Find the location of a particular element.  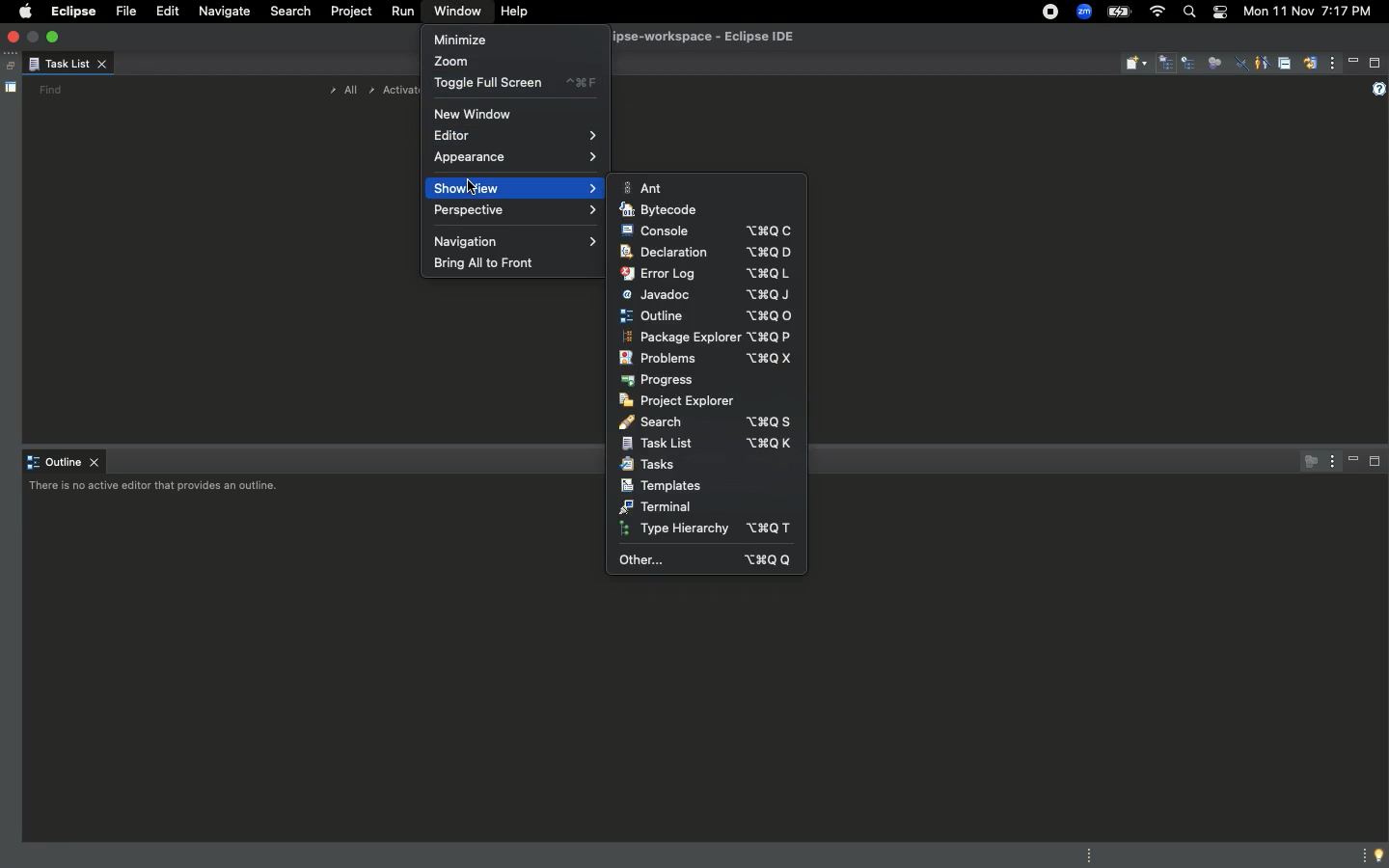

Scheduled is located at coordinates (1190, 65).